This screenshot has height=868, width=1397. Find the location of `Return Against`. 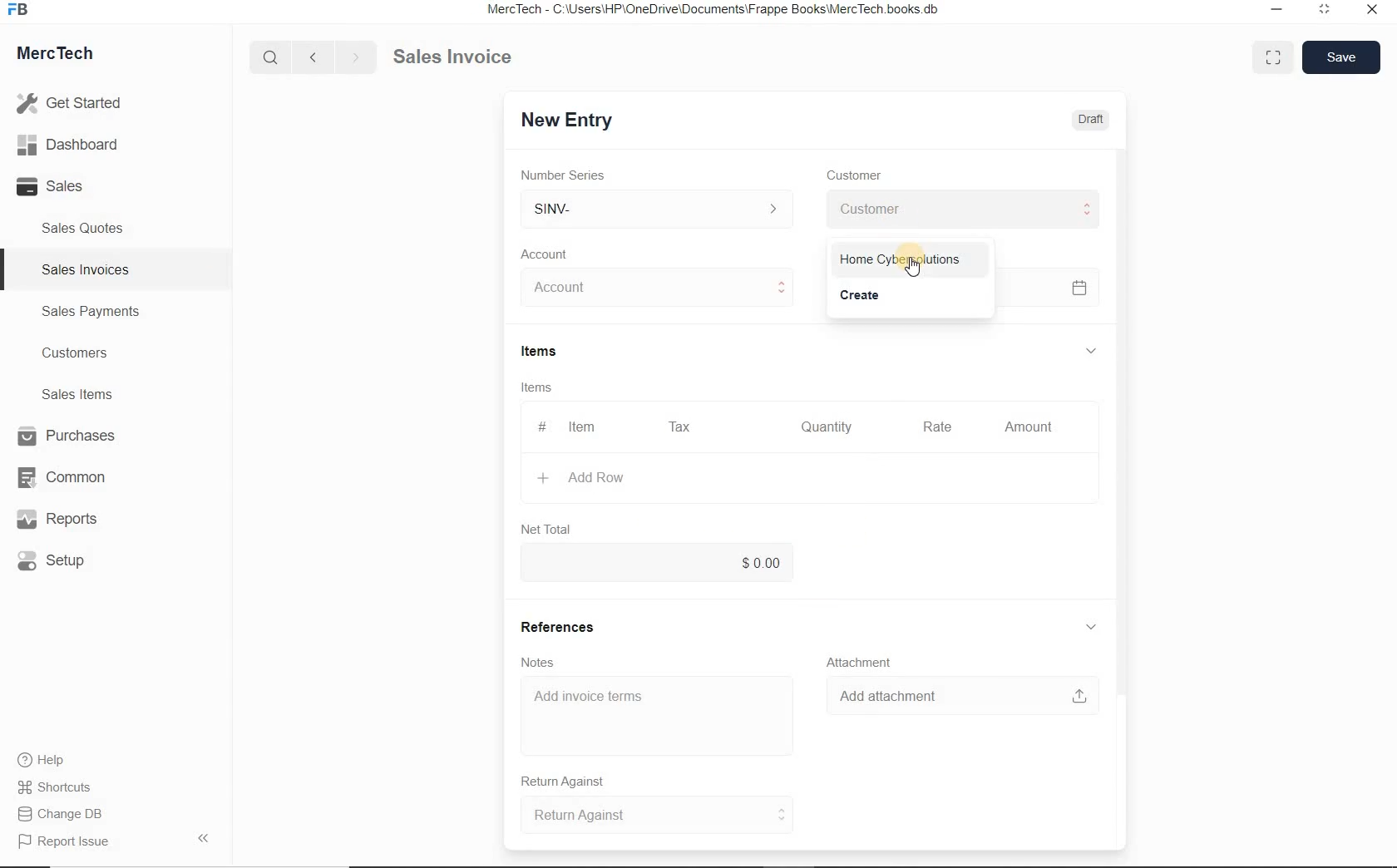

Return Against is located at coordinates (658, 815).